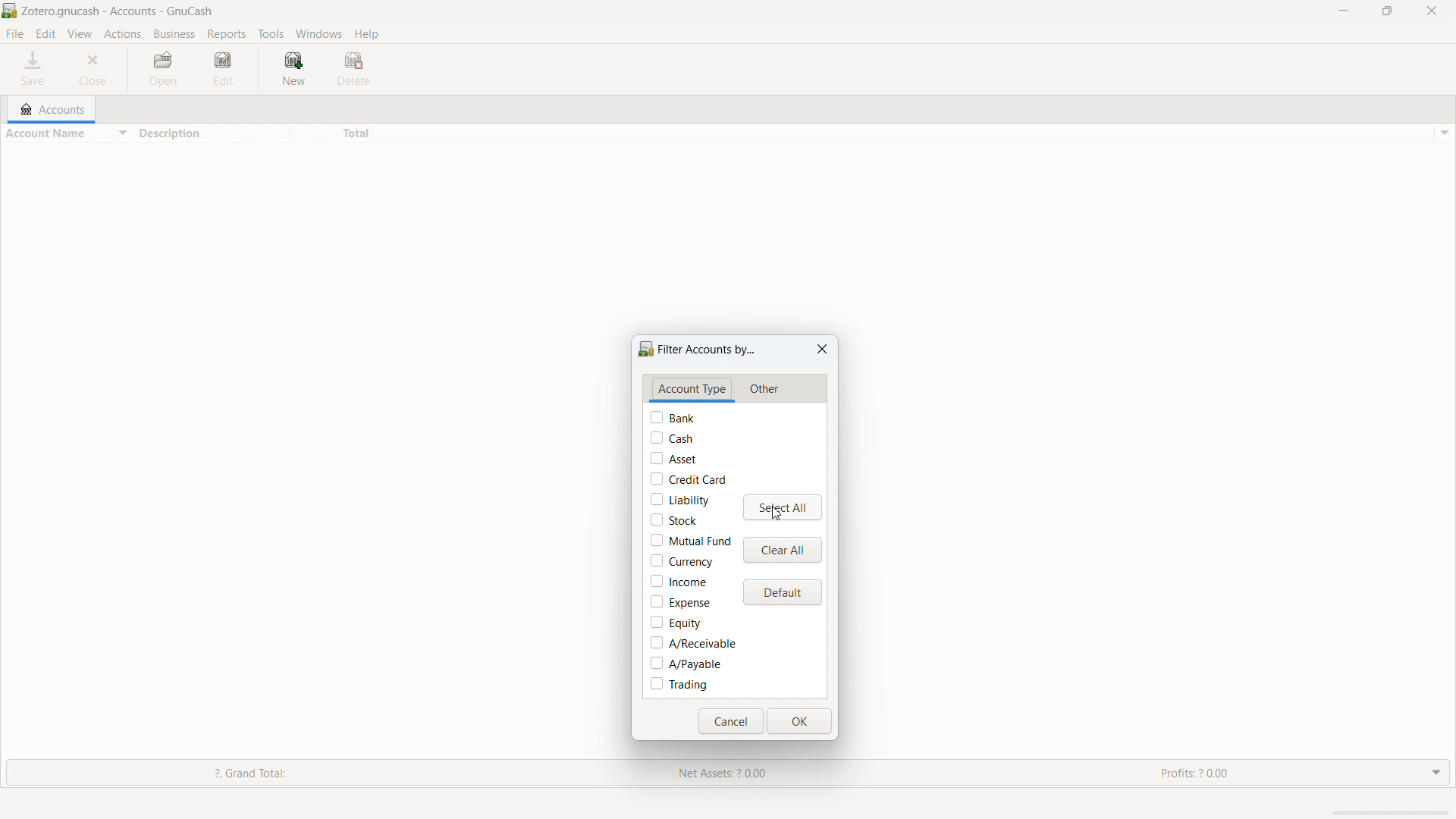  What do you see at coordinates (354, 67) in the screenshot?
I see `delete` at bounding box center [354, 67].